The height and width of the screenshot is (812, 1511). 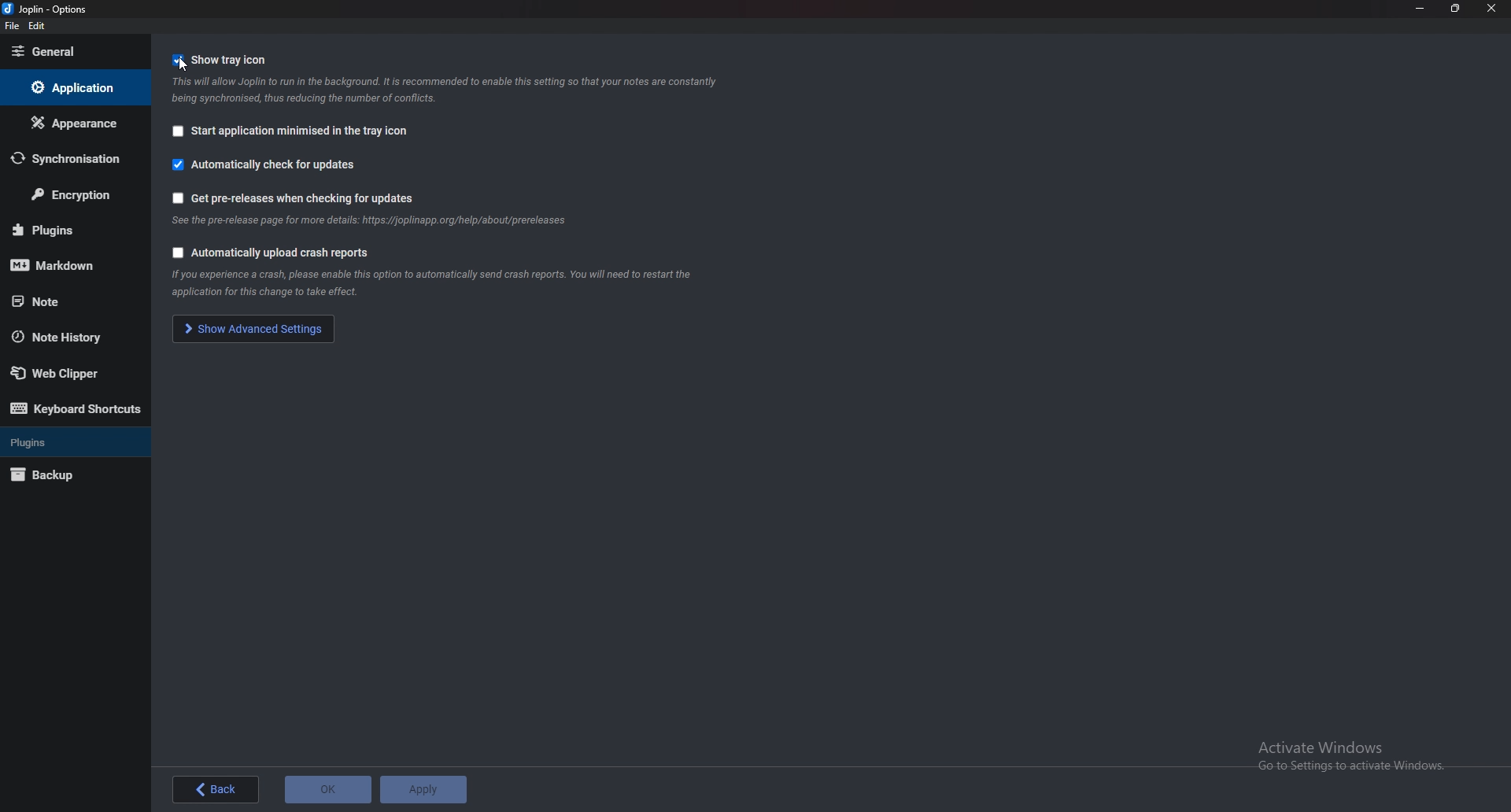 I want to click on Minimize, so click(x=1420, y=8).